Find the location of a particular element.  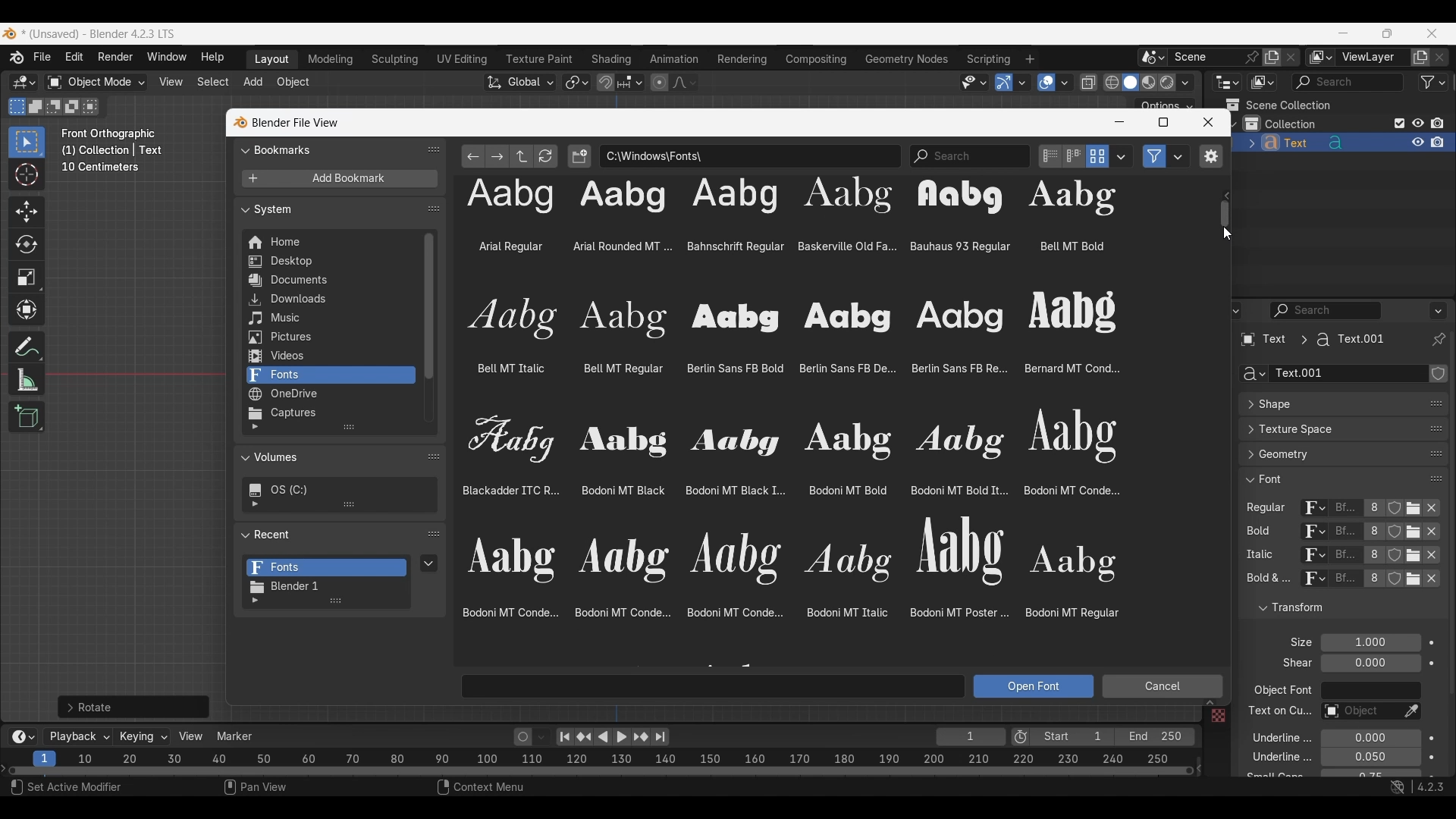

shortcut is located at coordinates (1414, 789).